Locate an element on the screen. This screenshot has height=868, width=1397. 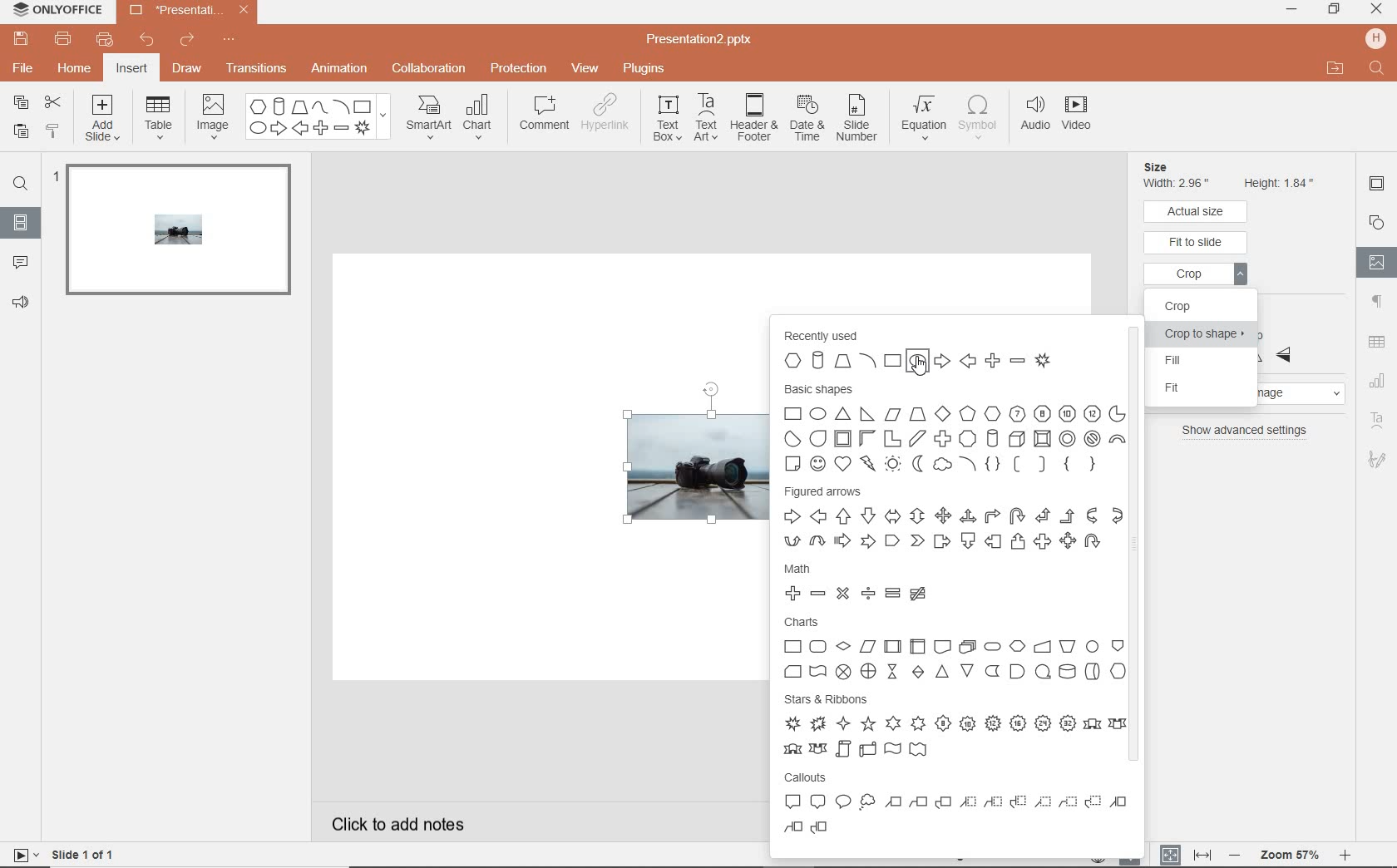
redo is located at coordinates (189, 42).